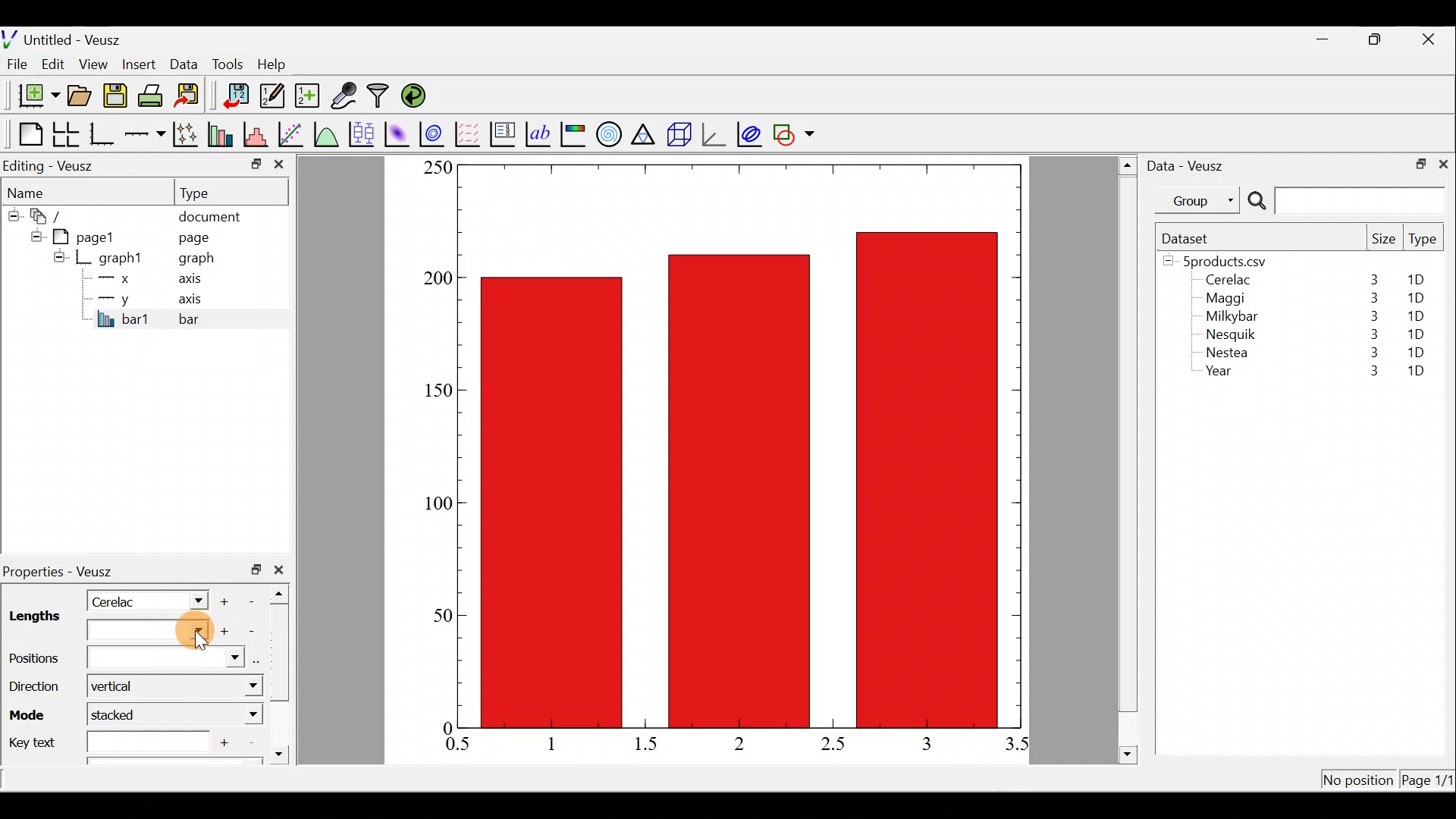 The height and width of the screenshot is (819, 1456). What do you see at coordinates (90, 235) in the screenshot?
I see `pagel` at bounding box center [90, 235].